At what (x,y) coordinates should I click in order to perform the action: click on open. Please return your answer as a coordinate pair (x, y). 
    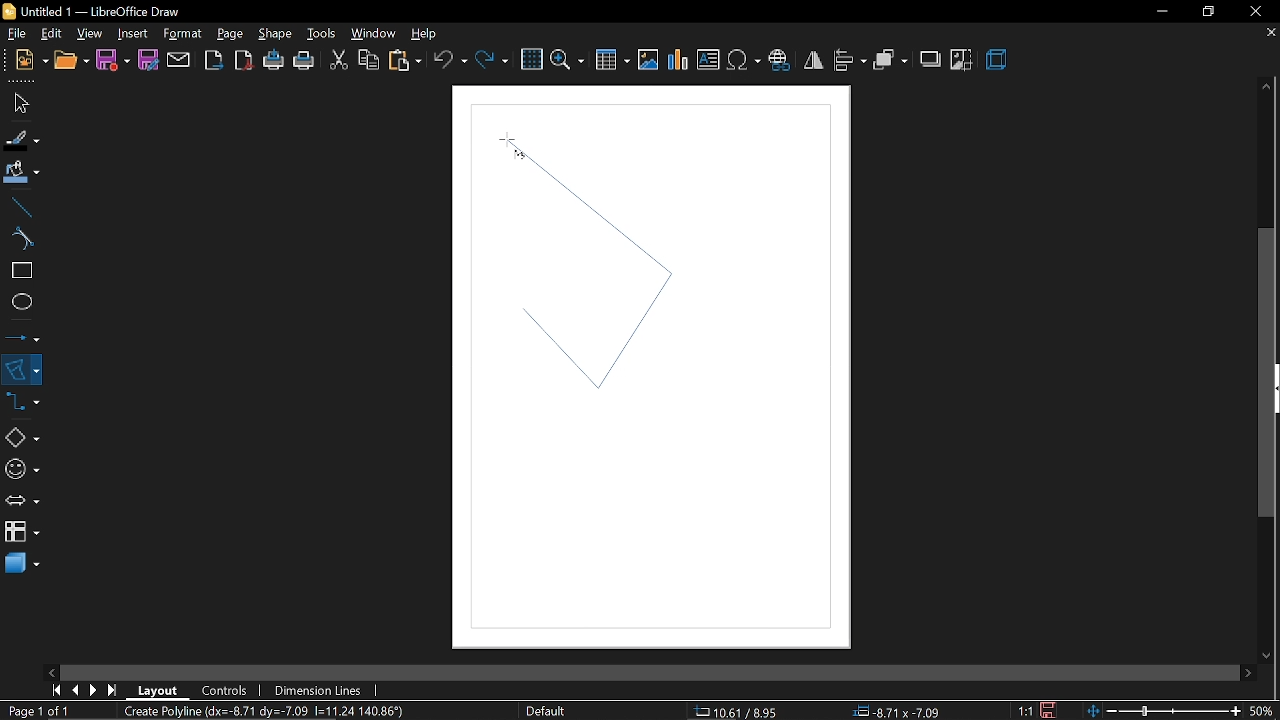
    Looking at the image, I should click on (70, 61).